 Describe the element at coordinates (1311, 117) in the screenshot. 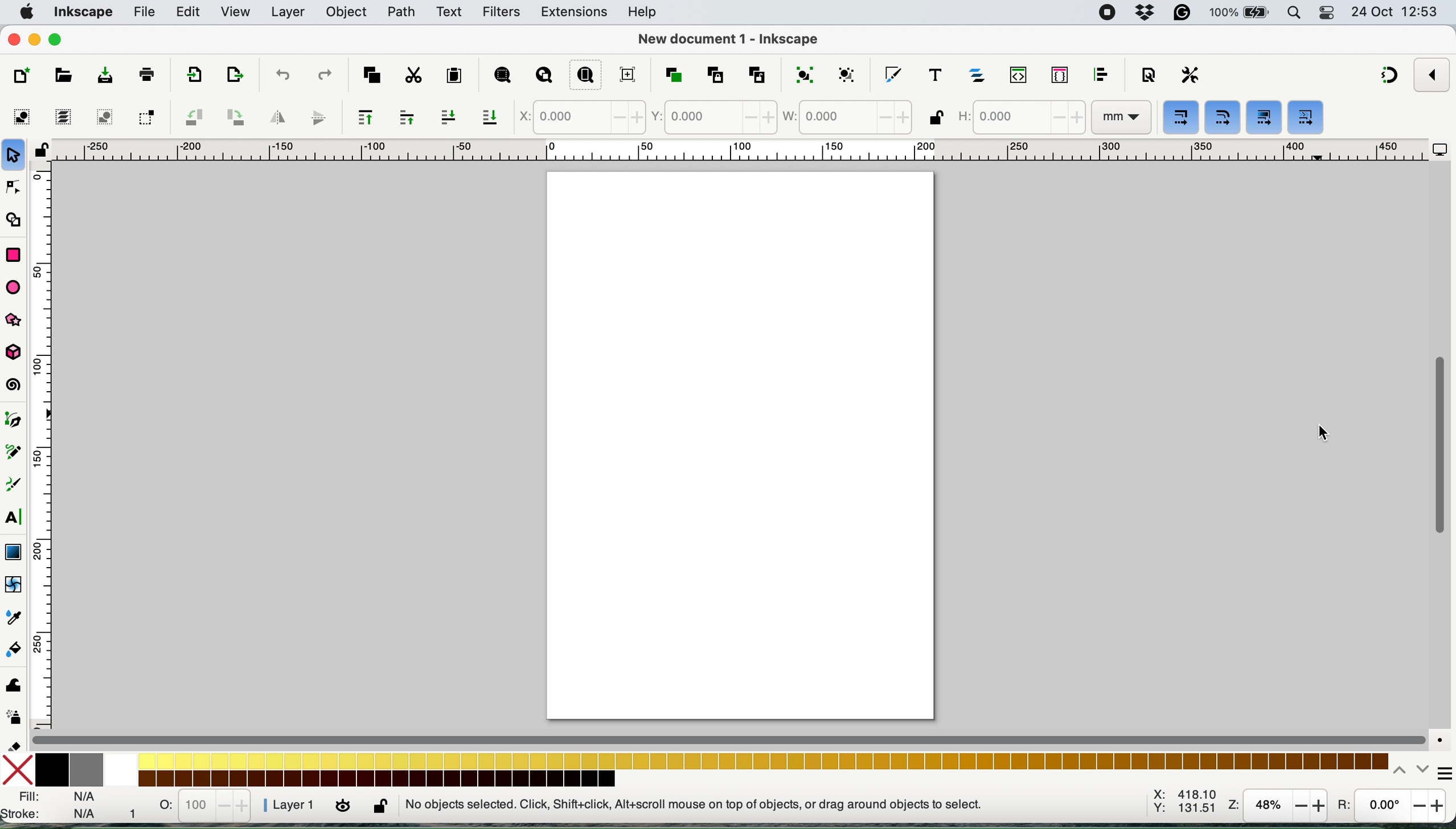

I see `move gradients` at that location.